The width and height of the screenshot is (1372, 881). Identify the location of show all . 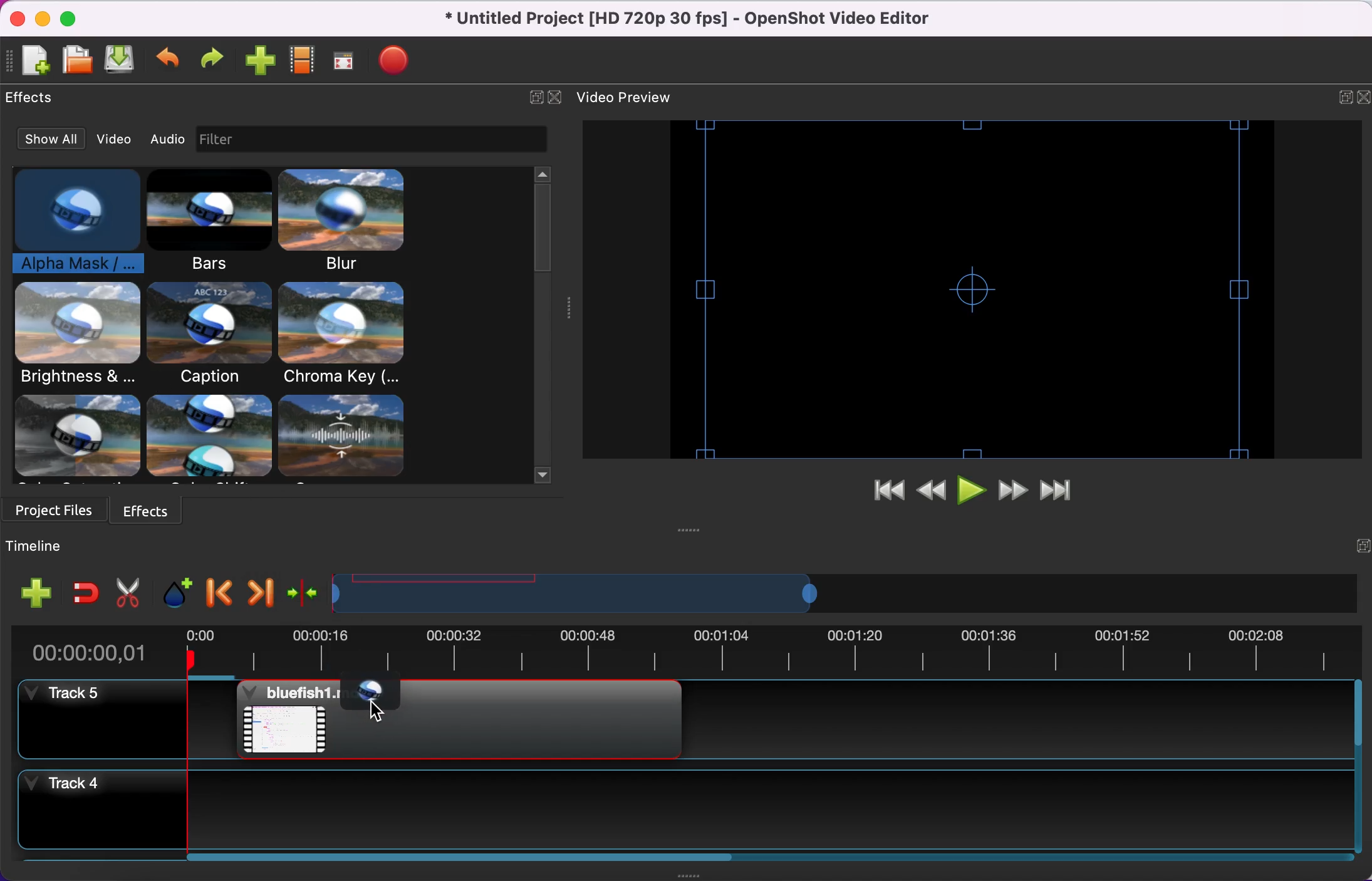
(51, 137).